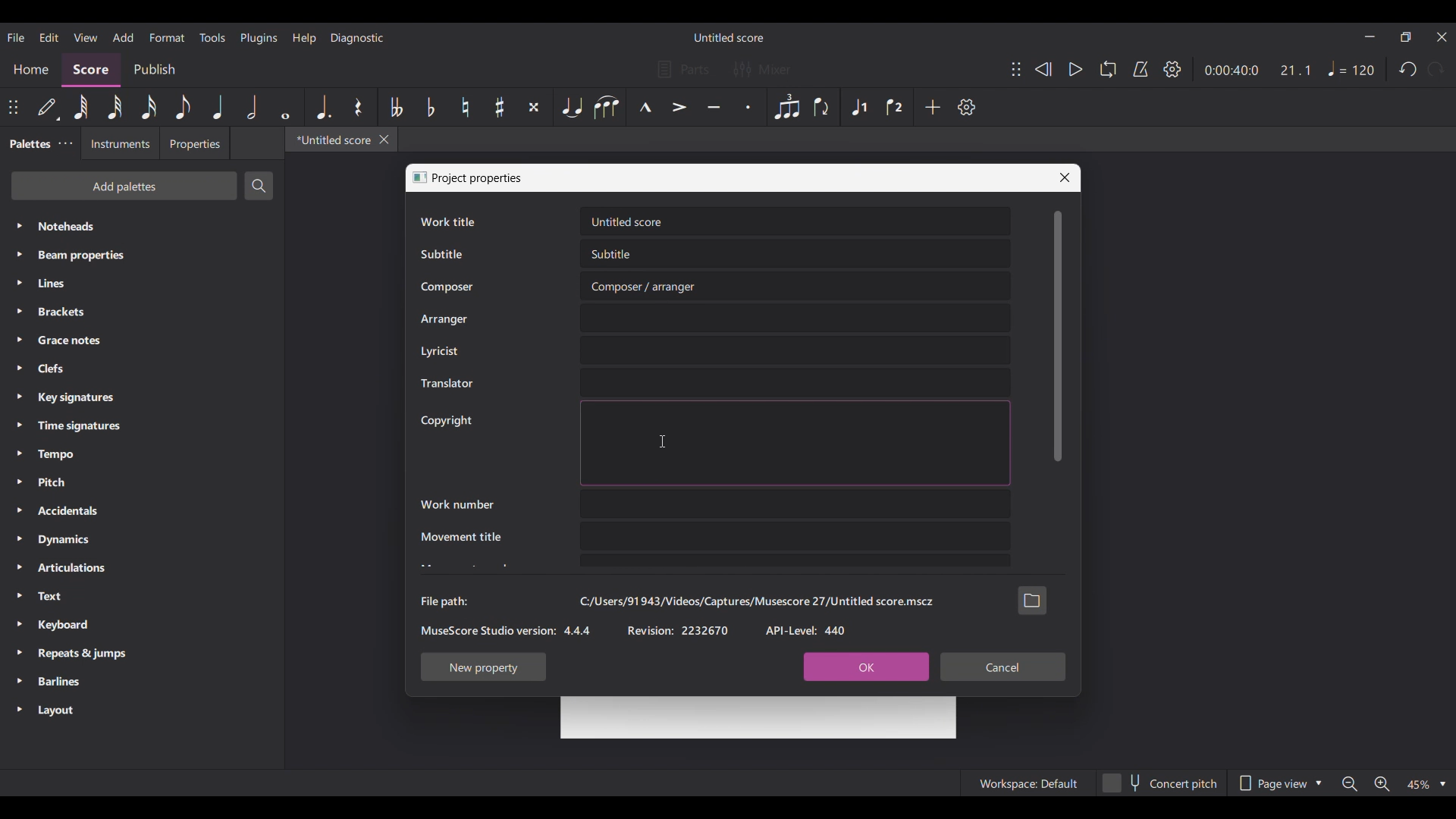  What do you see at coordinates (142, 540) in the screenshot?
I see `Dynamics` at bounding box center [142, 540].